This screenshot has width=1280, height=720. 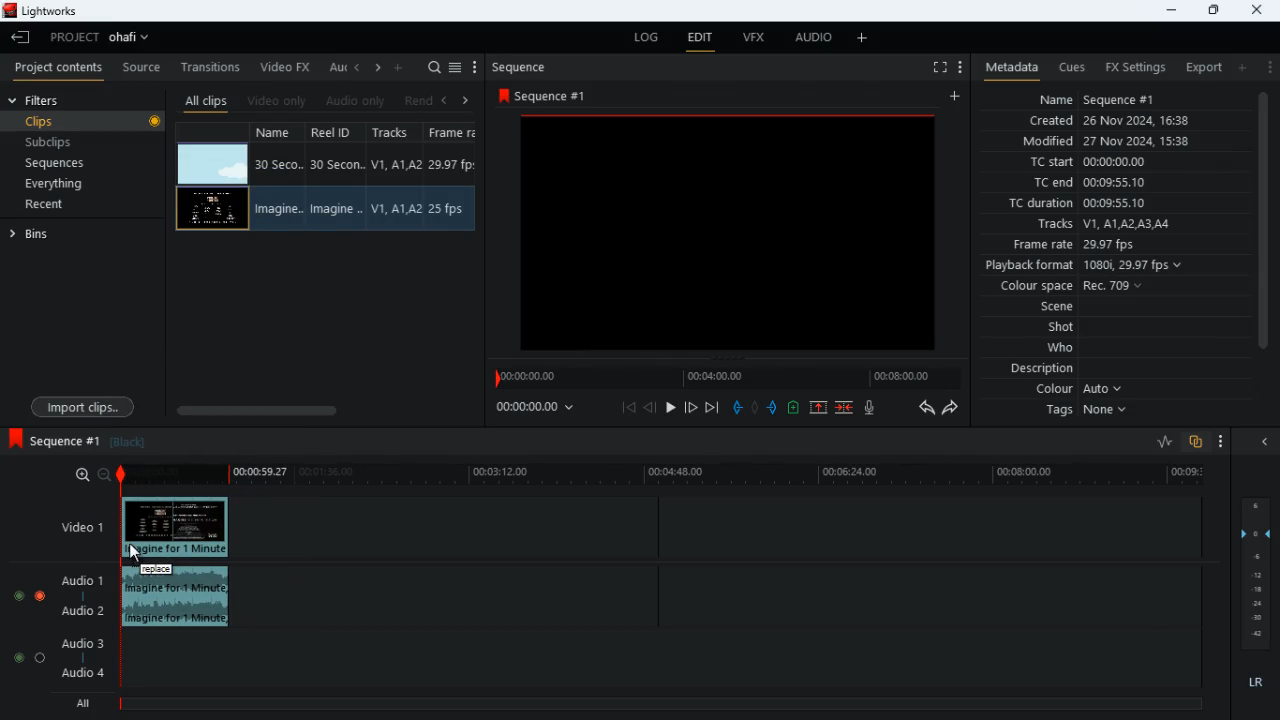 What do you see at coordinates (98, 38) in the screenshot?
I see `project` at bounding box center [98, 38].